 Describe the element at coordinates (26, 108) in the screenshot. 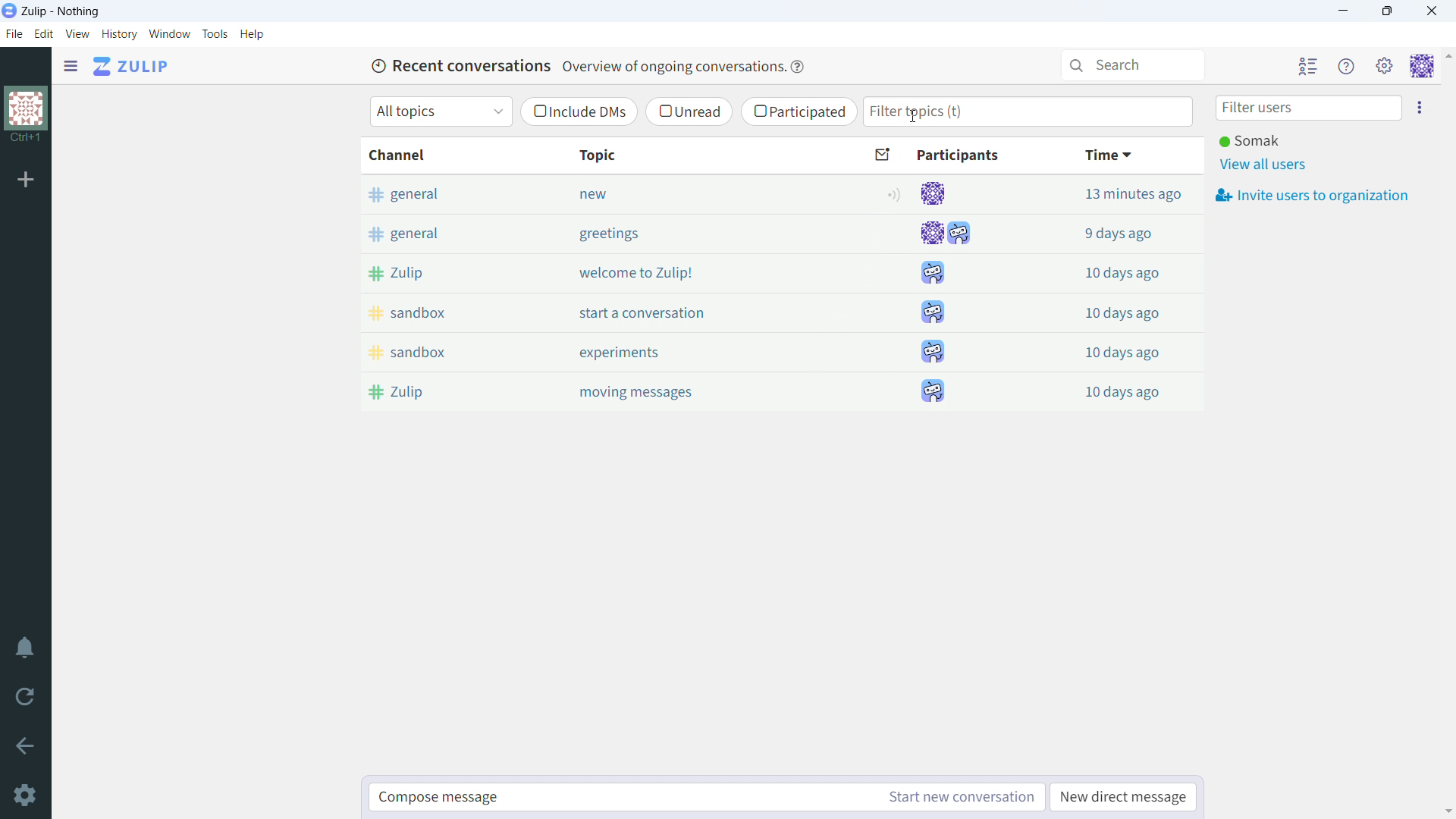

I see `organization` at that location.